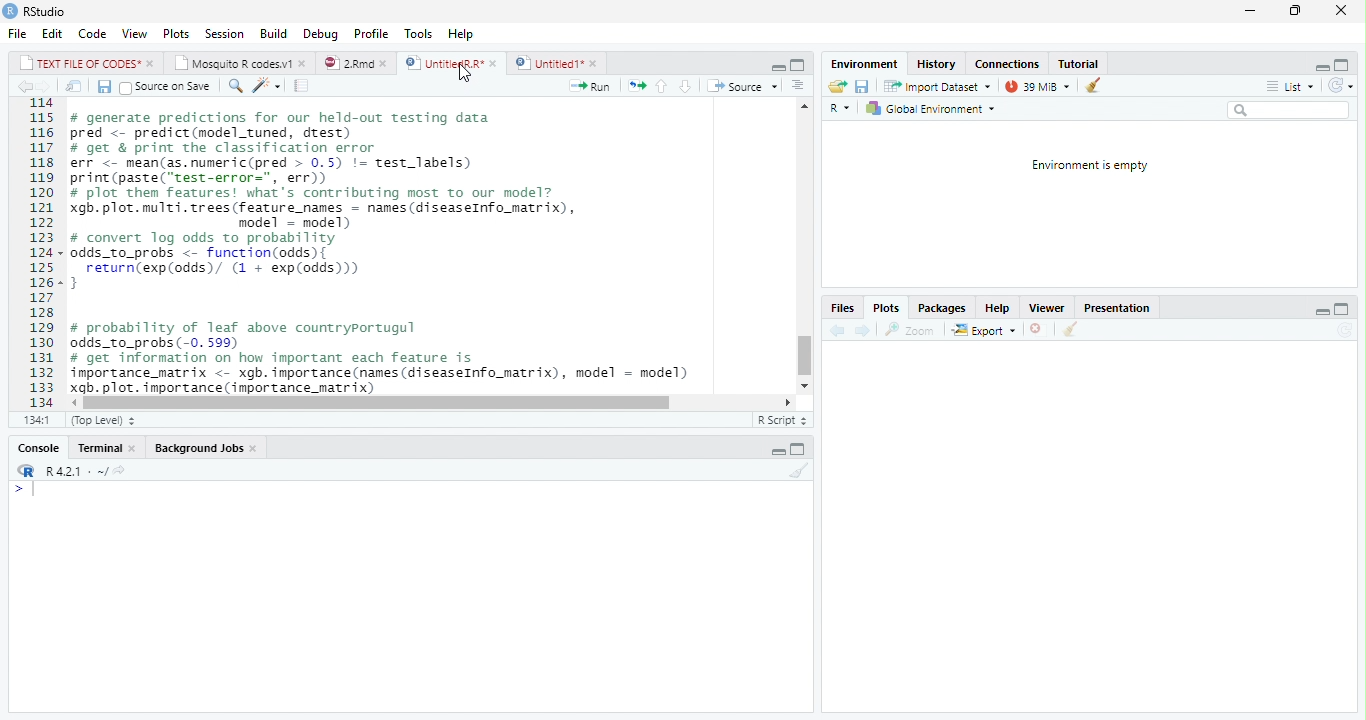 Image resolution: width=1366 pixels, height=720 pixels. What do you see at coordinates (859, 63) in the screenshot?
I see `Environment` at bounding box center [859, 63].